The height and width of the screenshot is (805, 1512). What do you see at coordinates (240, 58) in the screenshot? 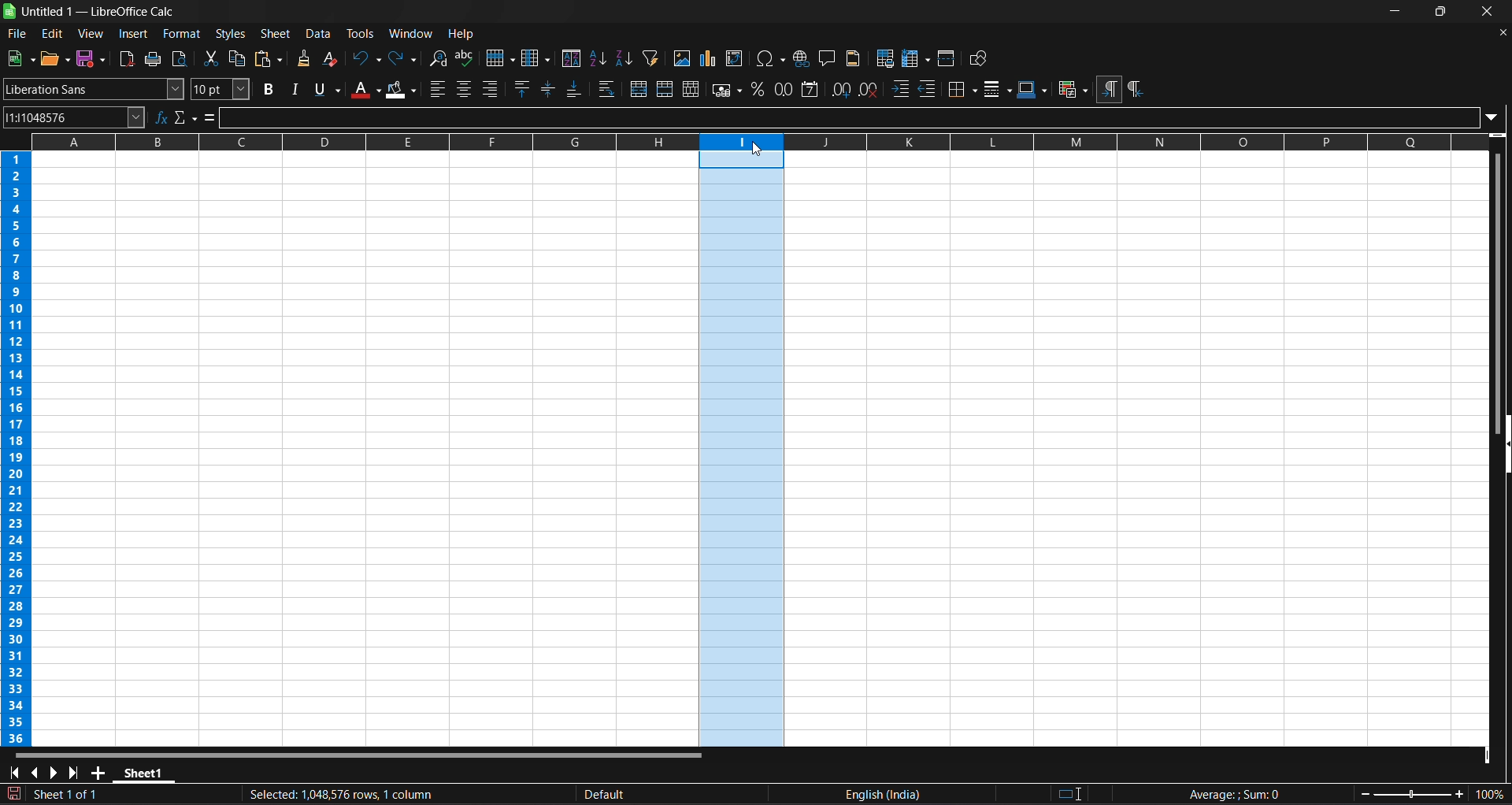
I see `copy` at bounding box center [240, 58].